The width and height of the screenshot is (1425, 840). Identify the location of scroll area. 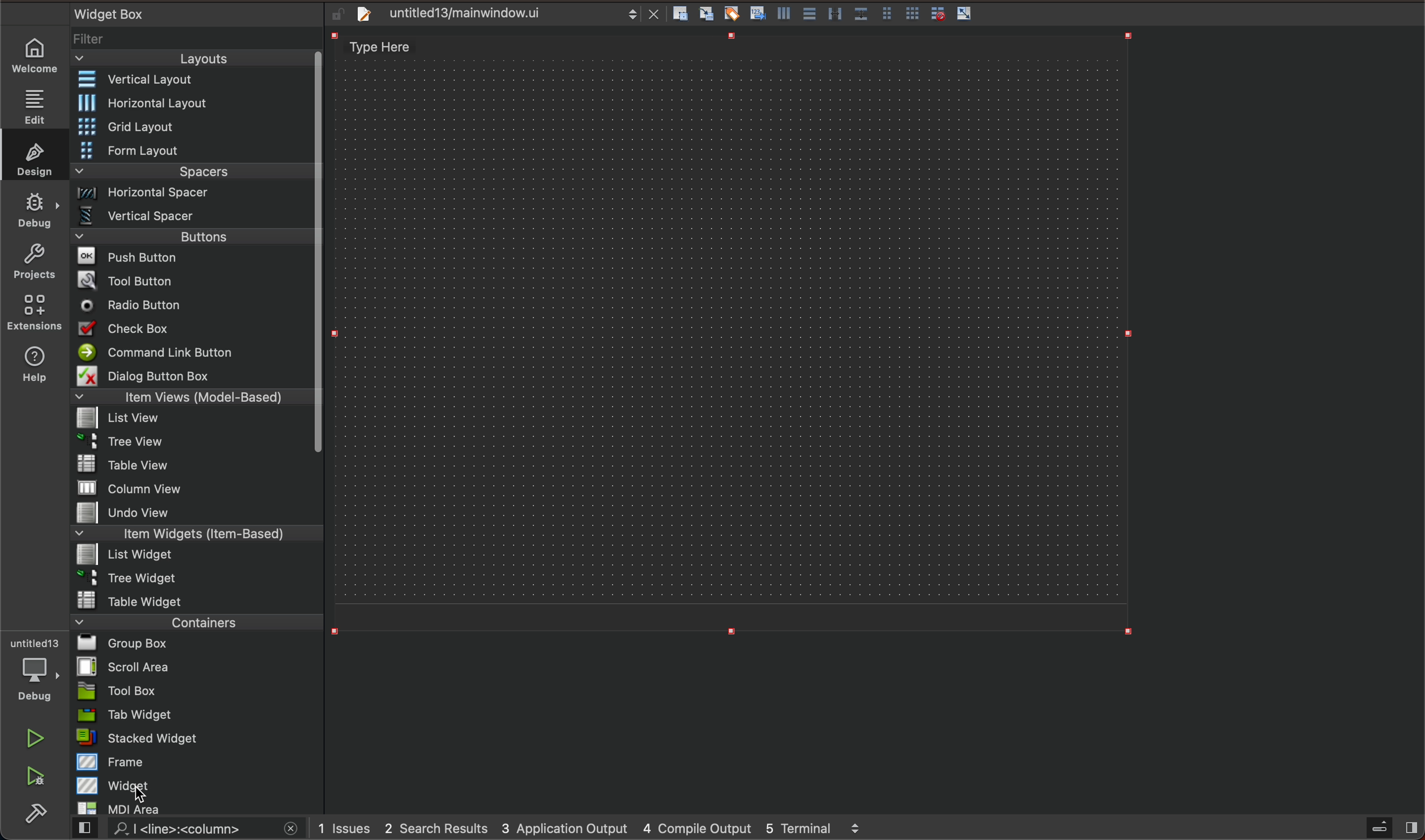
(195, 666).